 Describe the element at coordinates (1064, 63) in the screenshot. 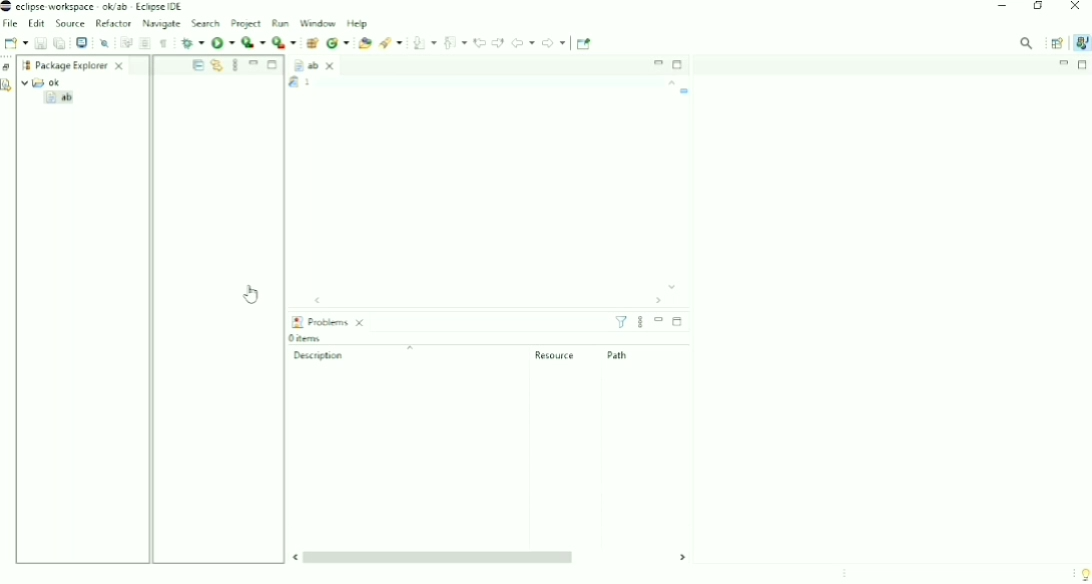

I see `Minimize` at that location.